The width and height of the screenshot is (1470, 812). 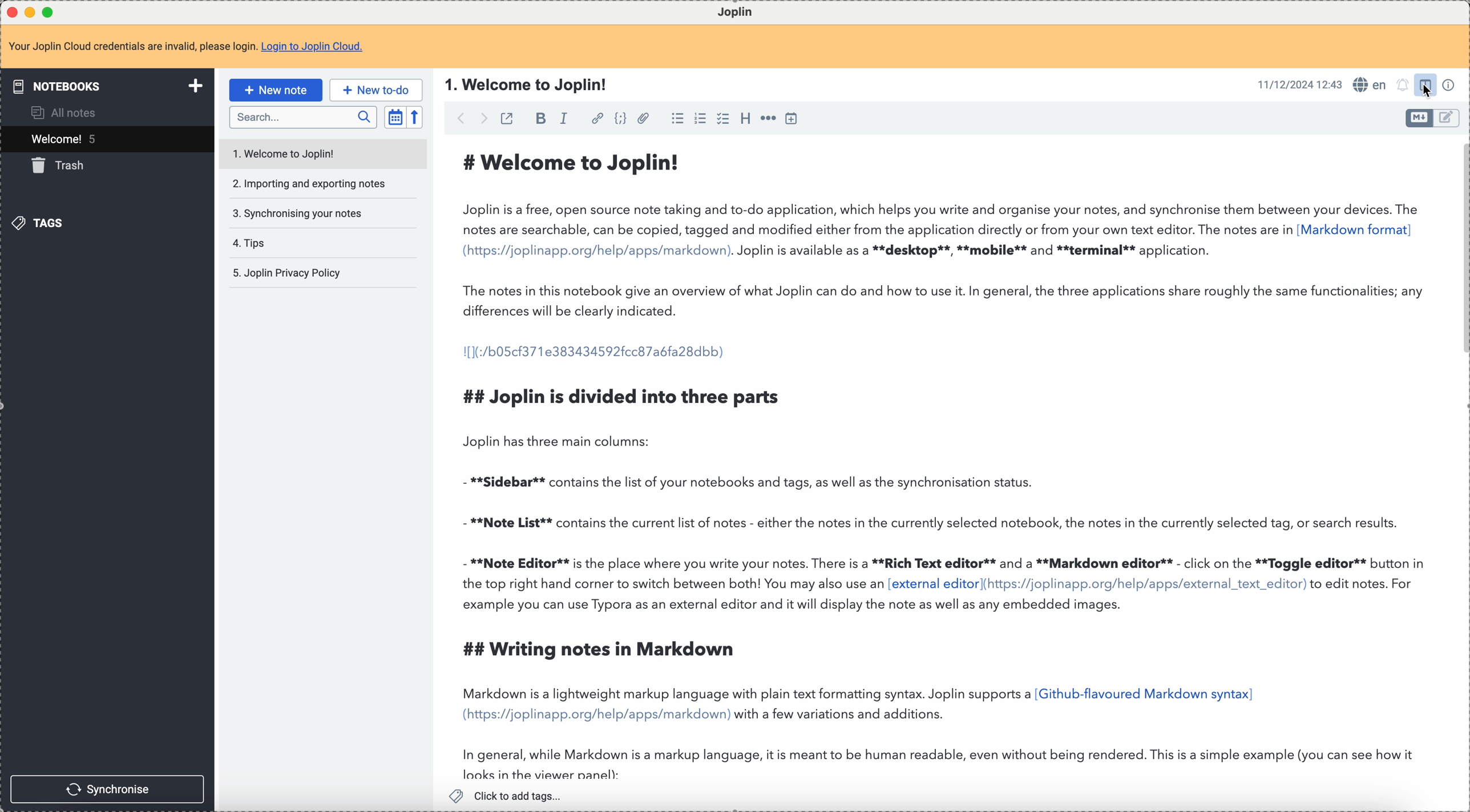 What do you see at coordinates (1461, 221) in the screenshot?
I see `scroll bar` at bounding box center [1461, 221].